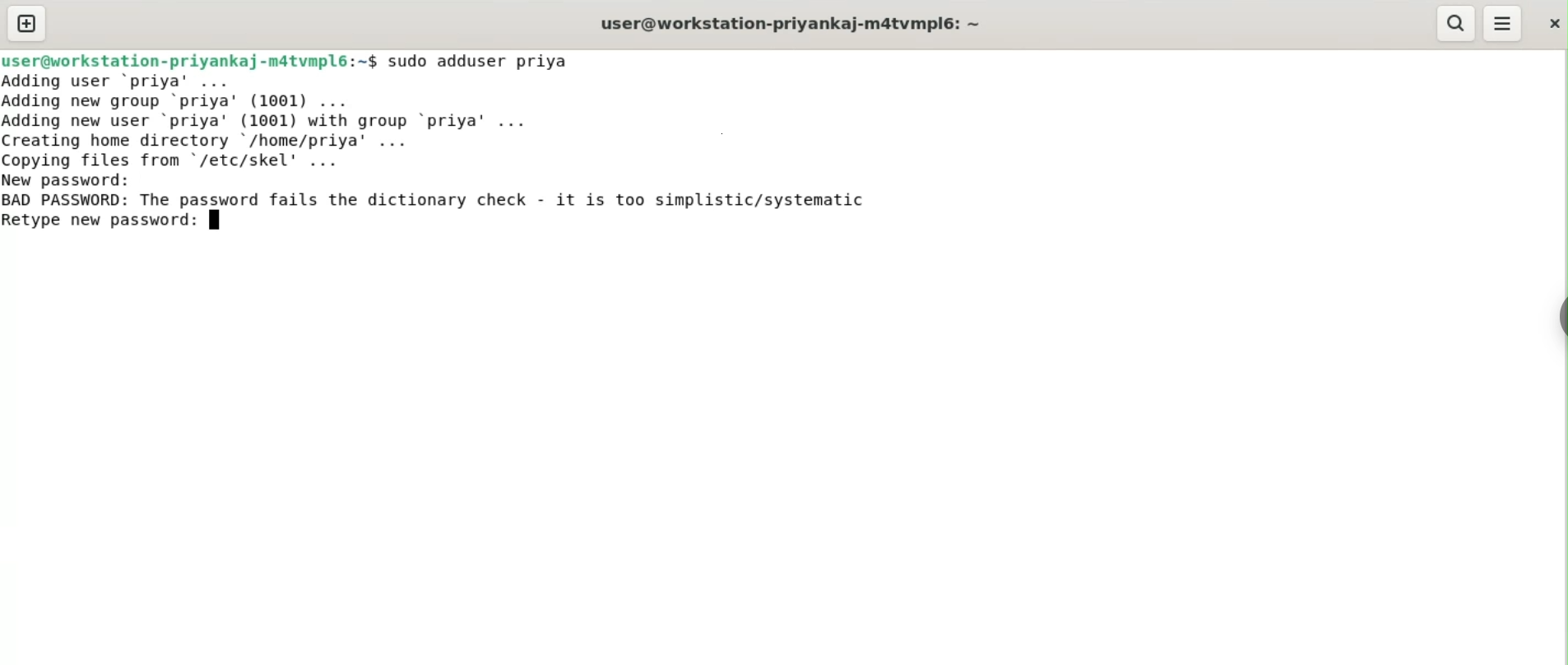  Describe the element at coordinates (1552, 19) in the screenshot. I see `close` at that location.